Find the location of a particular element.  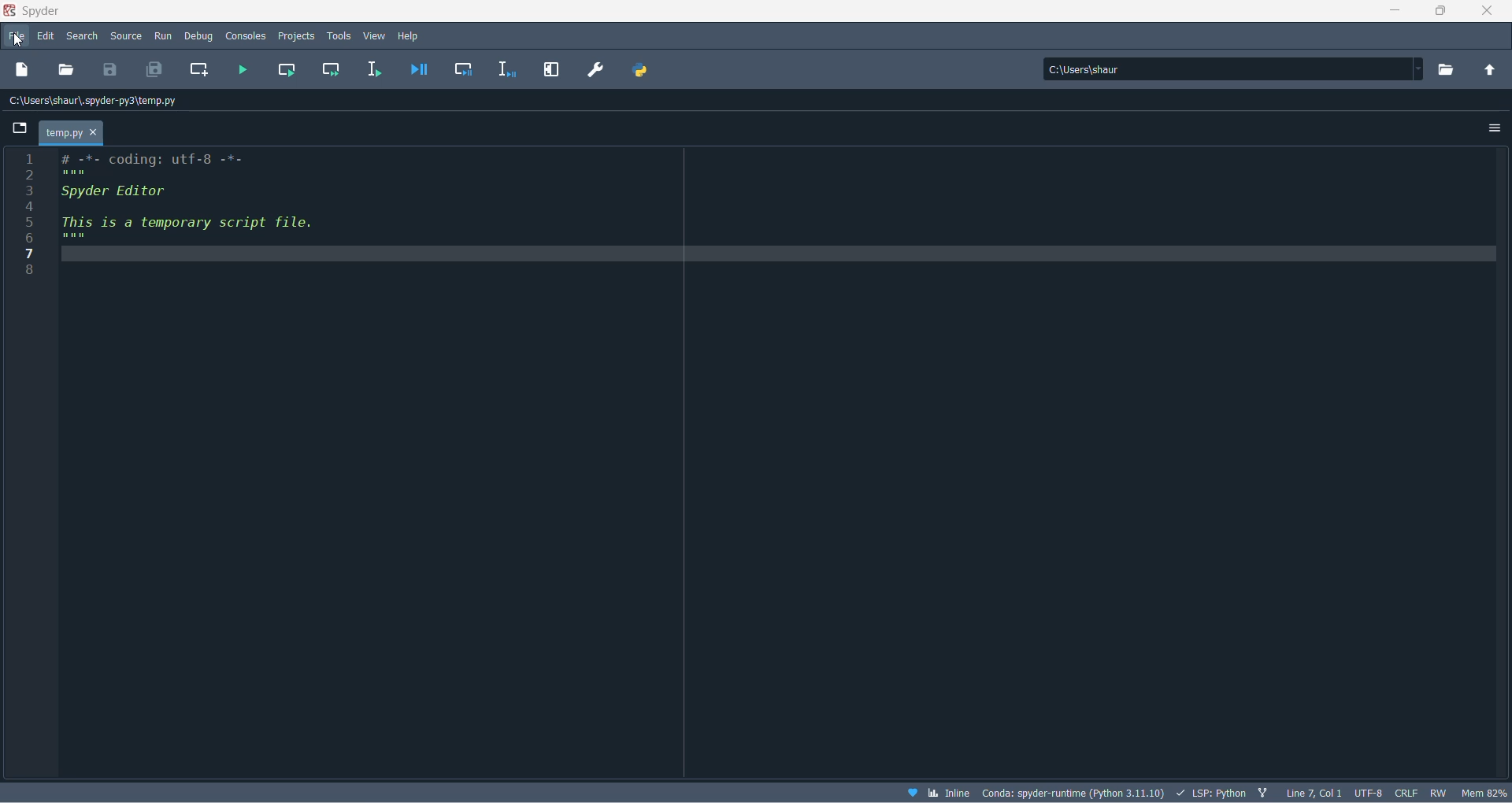

inline is located at coordinates (947, 793).